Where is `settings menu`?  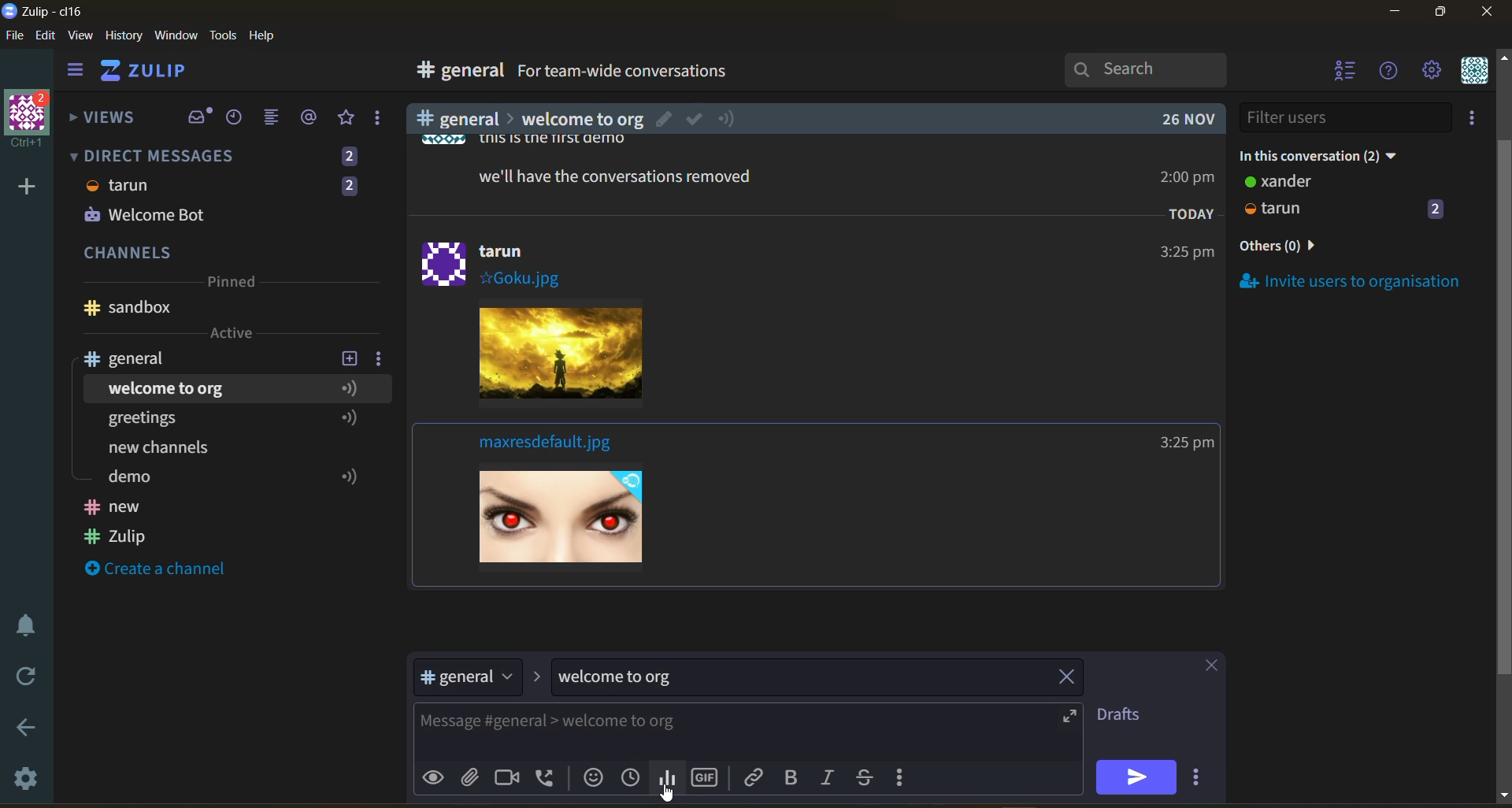
settings menu is located at coordinates (1431, 72).